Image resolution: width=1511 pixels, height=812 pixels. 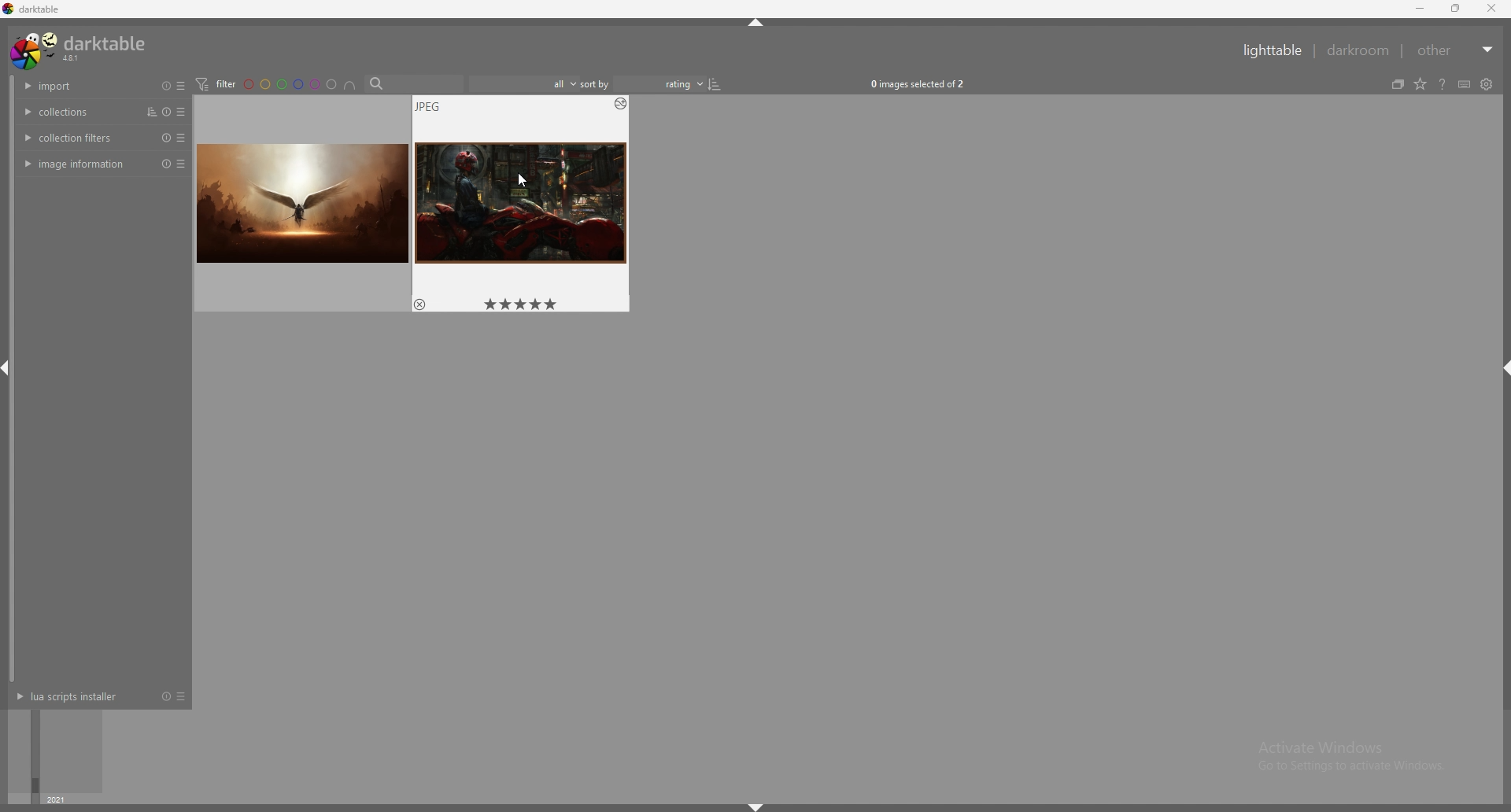 What do you see at coordinates (166, 696) in the screenshot?
I see `reset` at bounding box center [166, 696].